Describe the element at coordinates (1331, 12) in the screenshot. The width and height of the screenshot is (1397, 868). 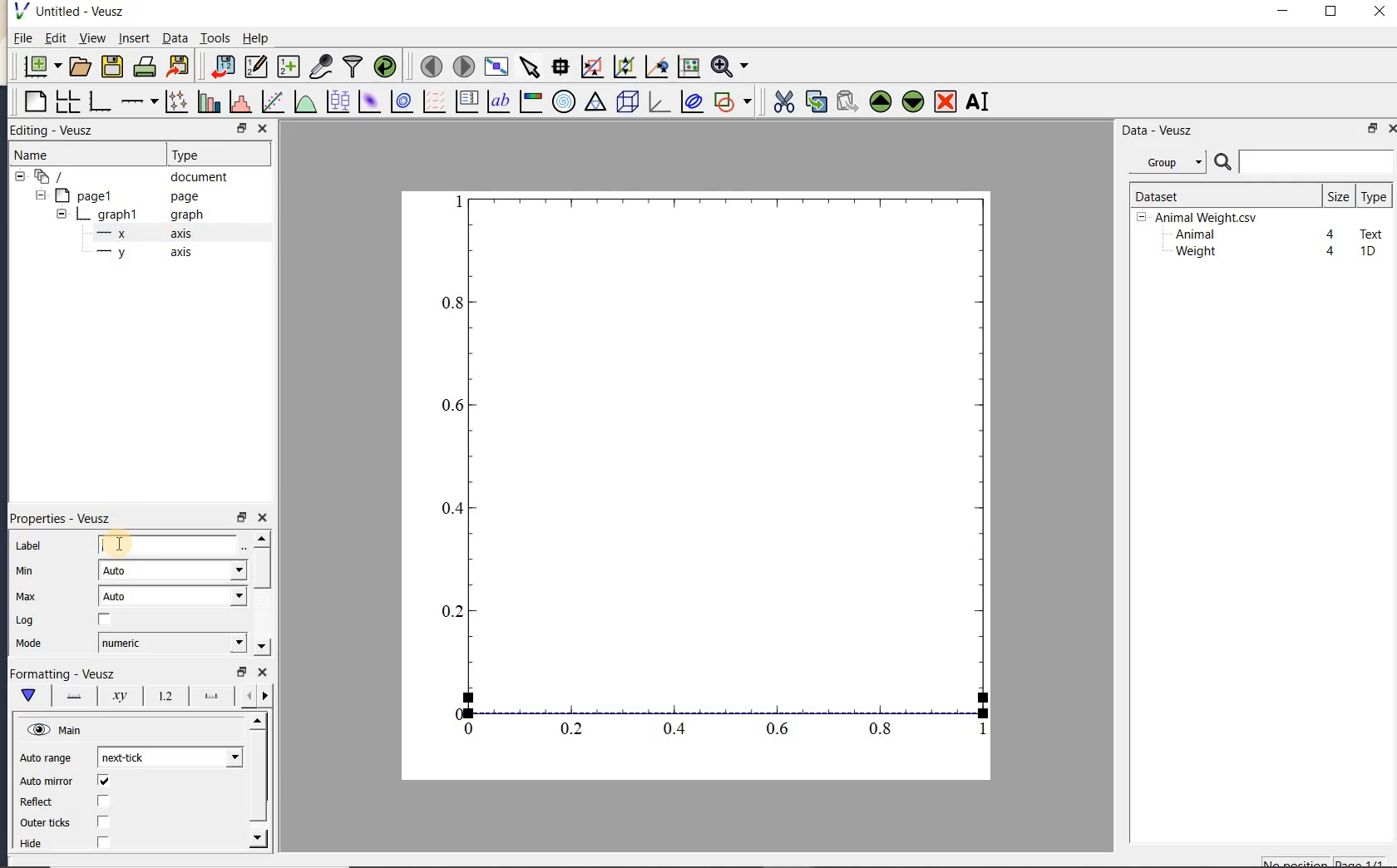
I see `maximize` at that location.